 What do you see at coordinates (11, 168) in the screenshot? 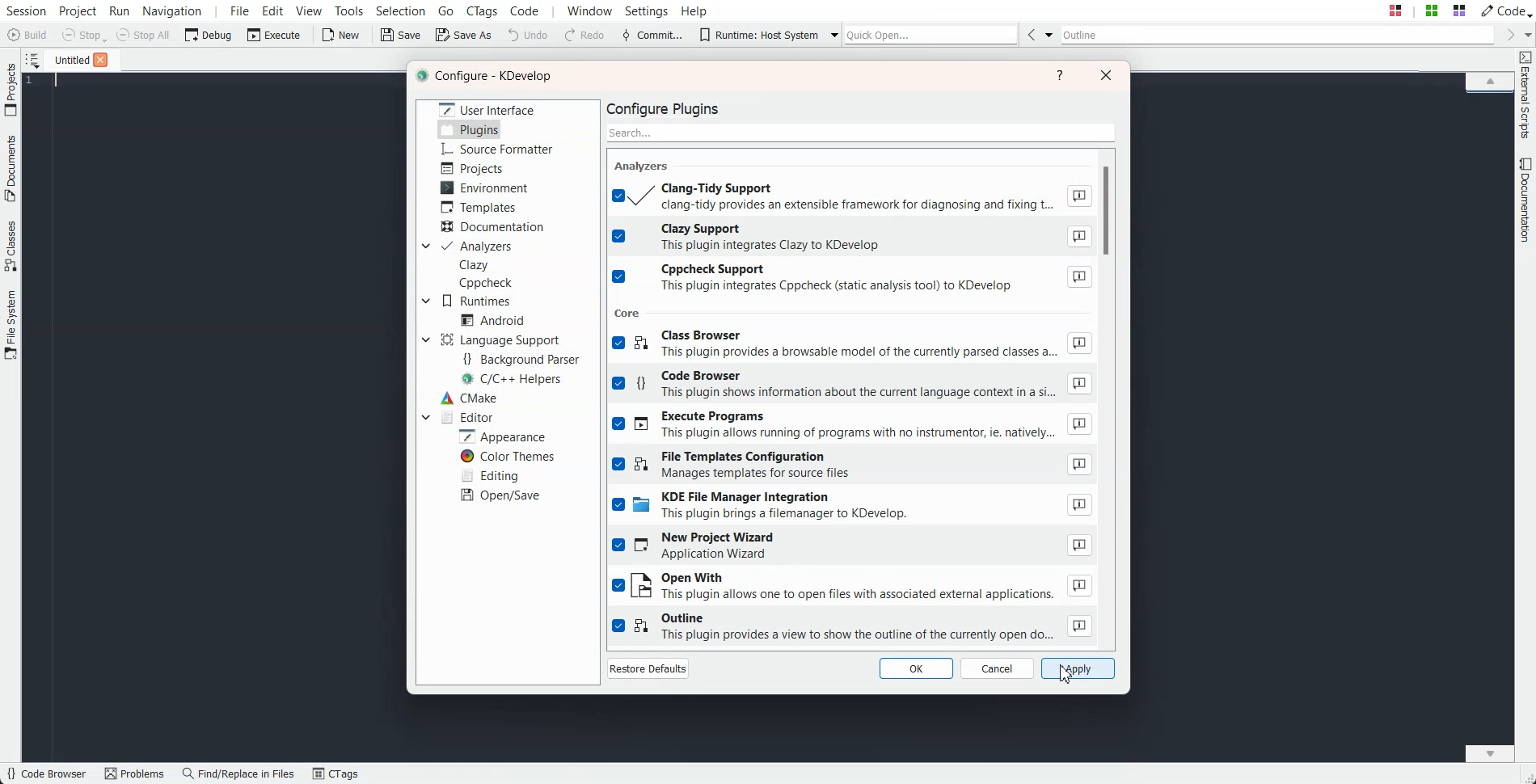
I see `Documents` at bounding box center [11, 168].